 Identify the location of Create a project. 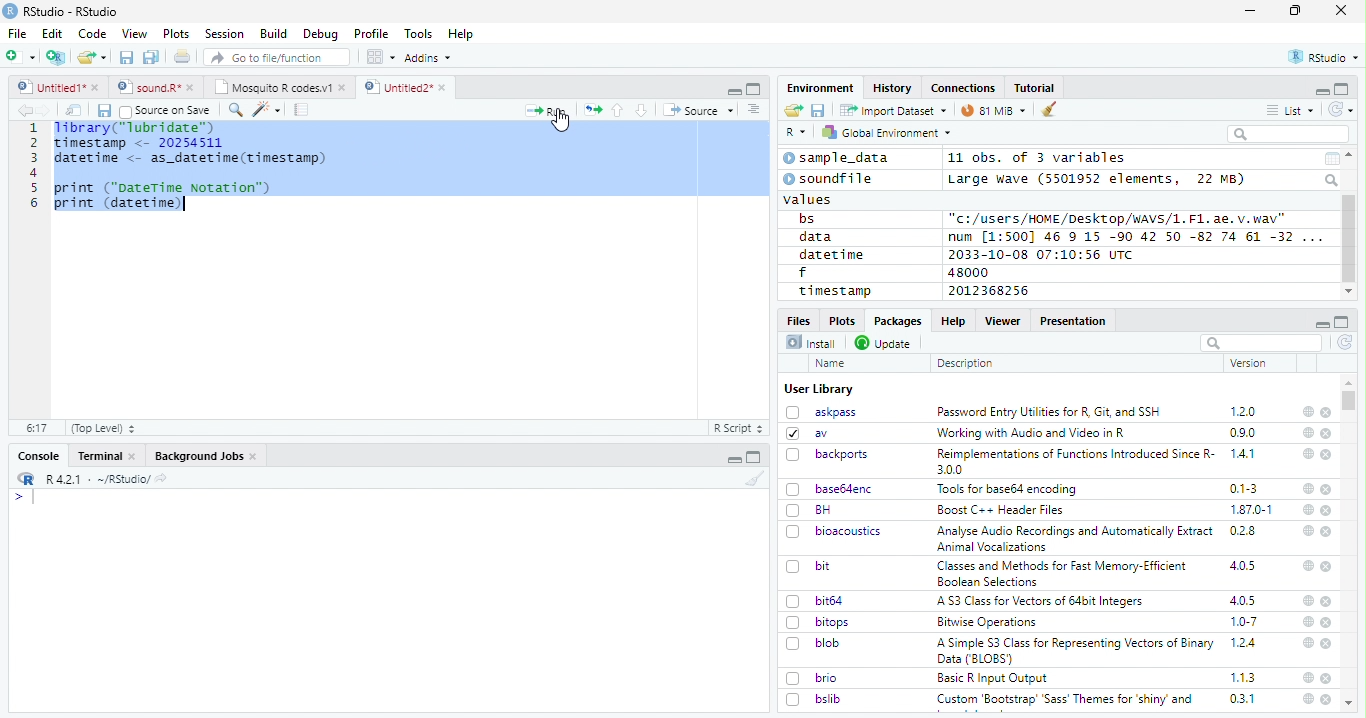
(56, 57).